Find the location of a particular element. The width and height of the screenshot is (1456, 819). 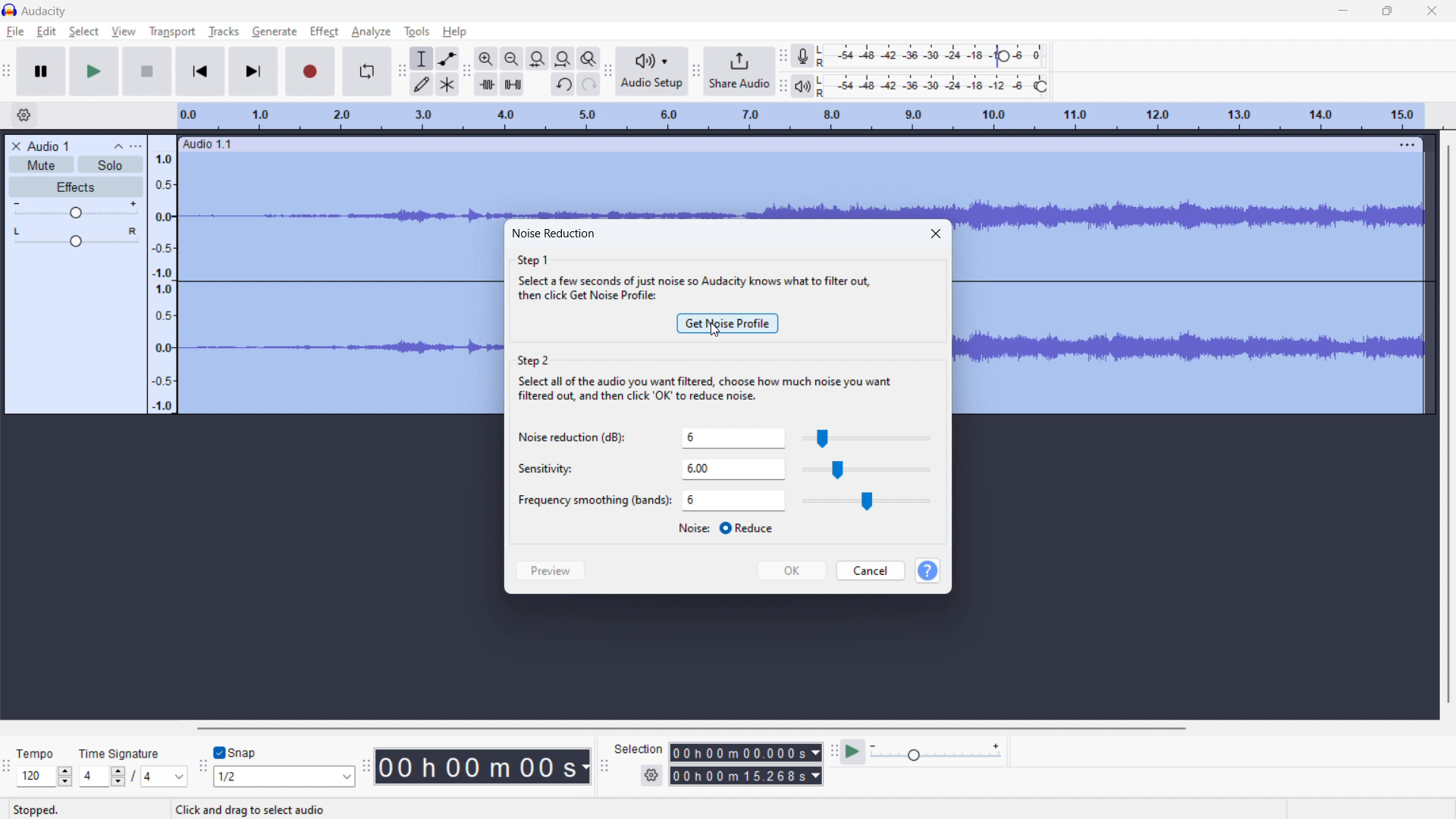

collapse is located at coordinates (117, 146).